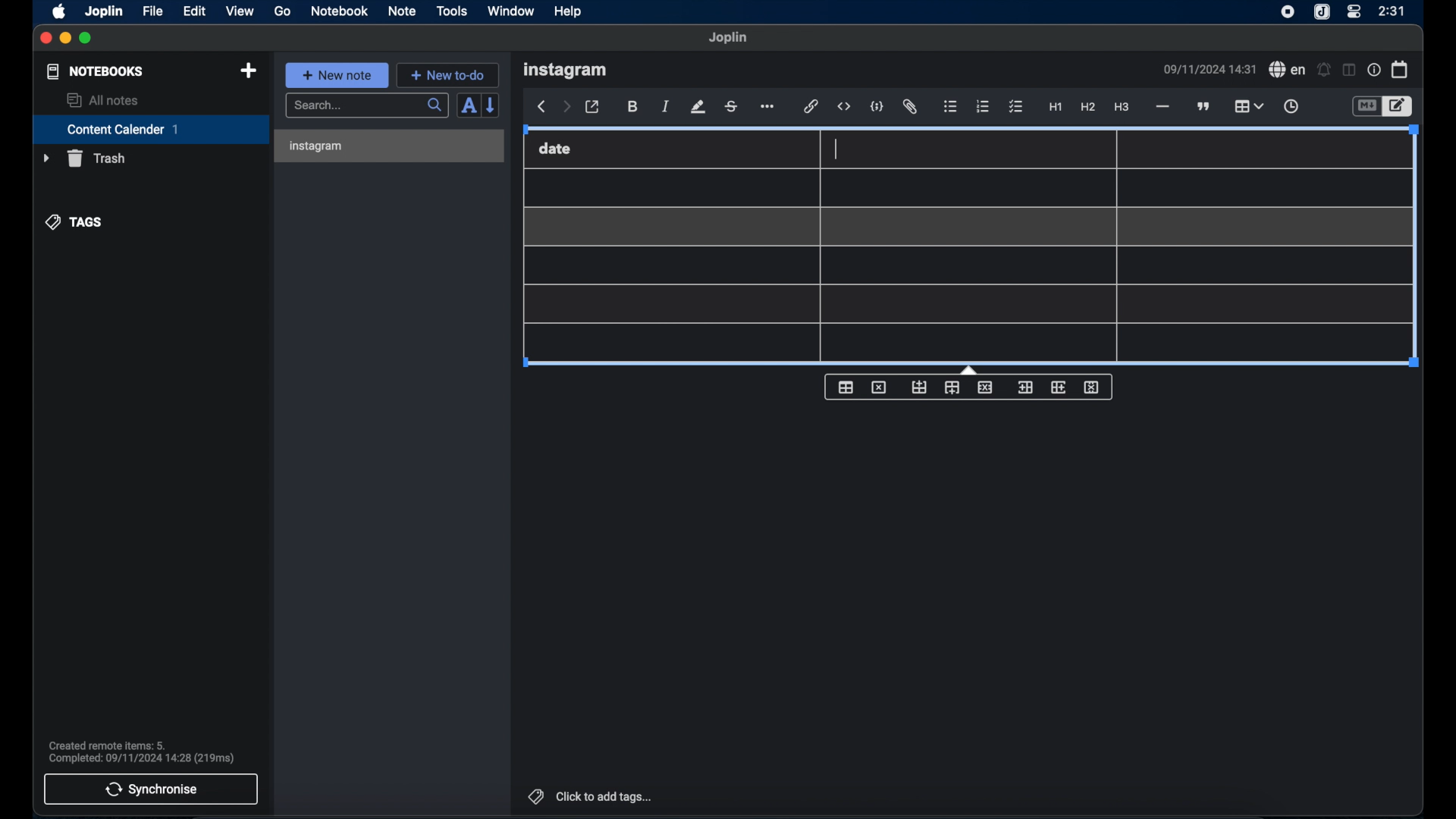 This screenshot has width=1456, height=819. Describe the element at coordinates (591, 796) in the screenshot. I see `click to add tags` at that location.